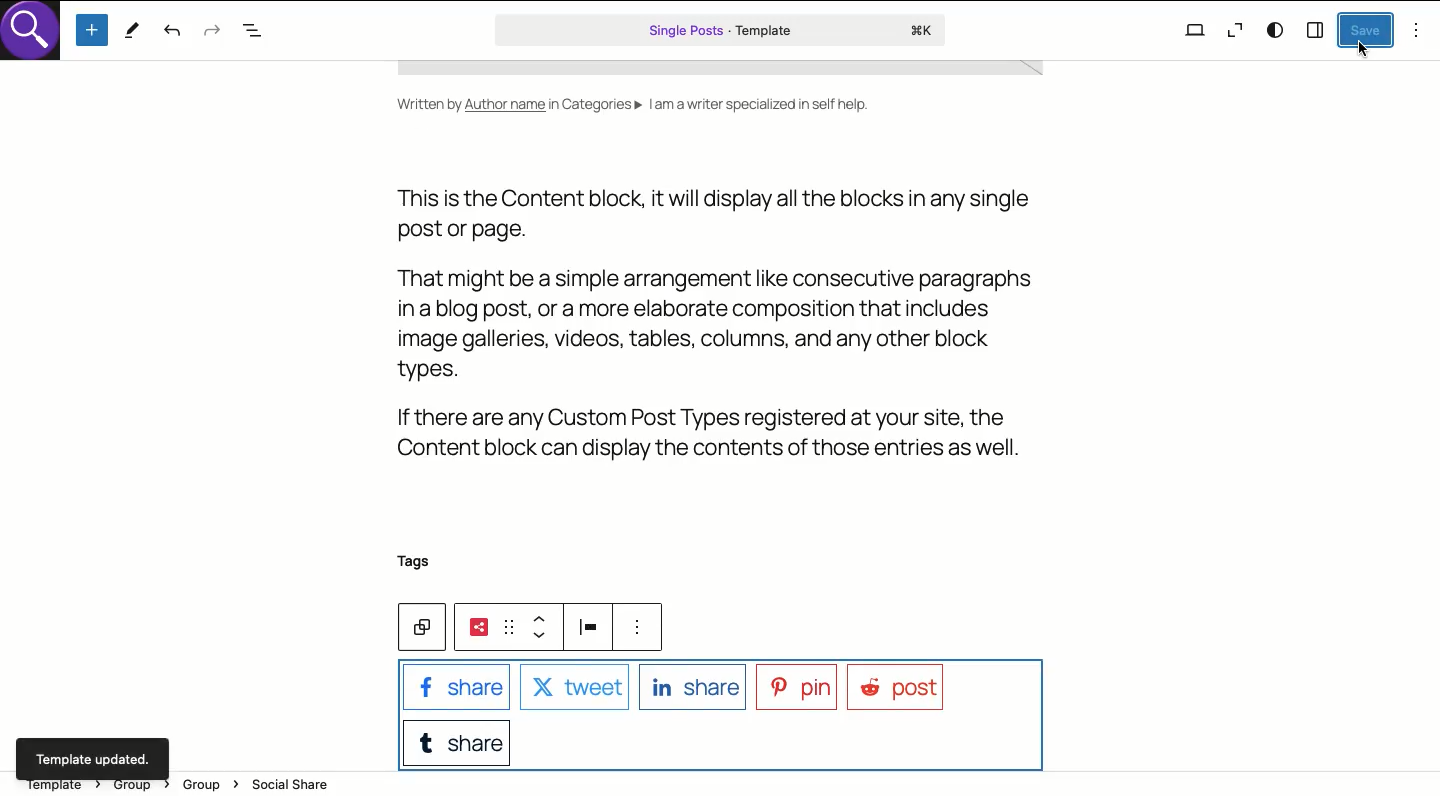  What do you see at coordinates (899, 687) in the screenshot?
I see `Reddit` at bounding box center [899, 687].